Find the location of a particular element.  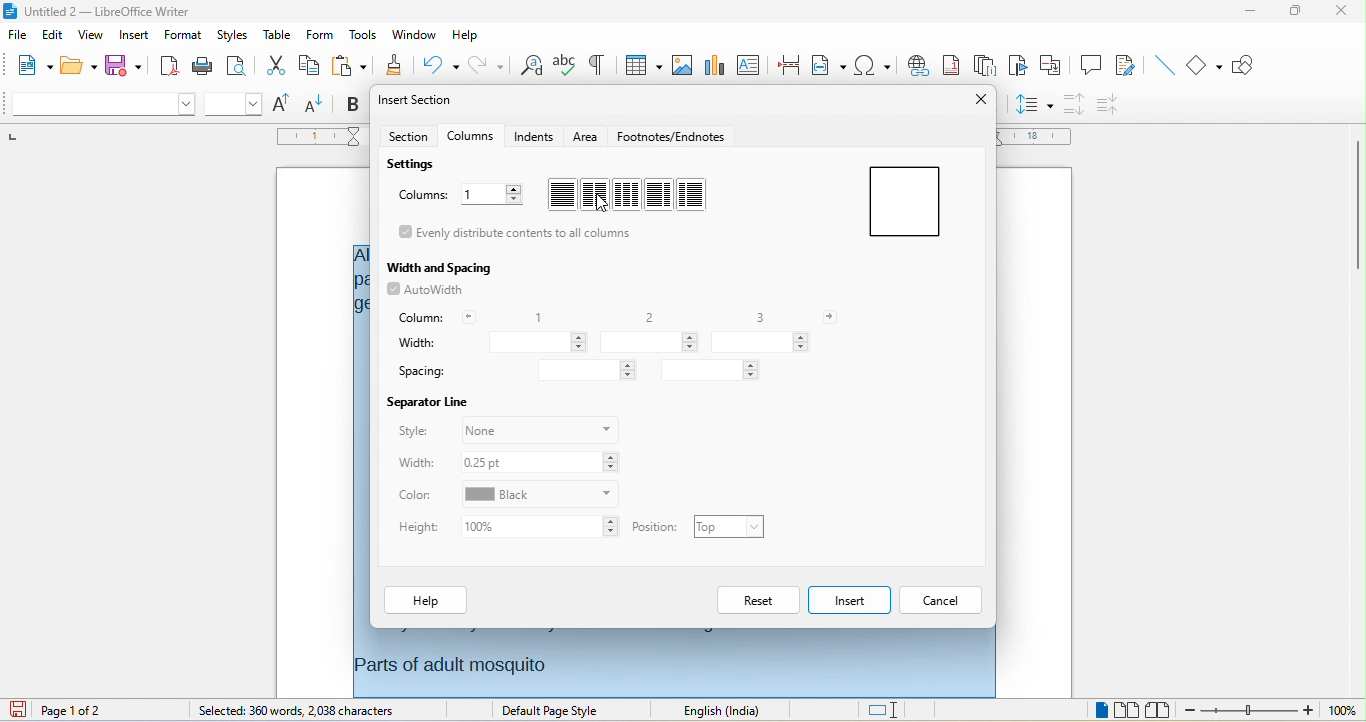

redo is located at coordinates (485, 64).